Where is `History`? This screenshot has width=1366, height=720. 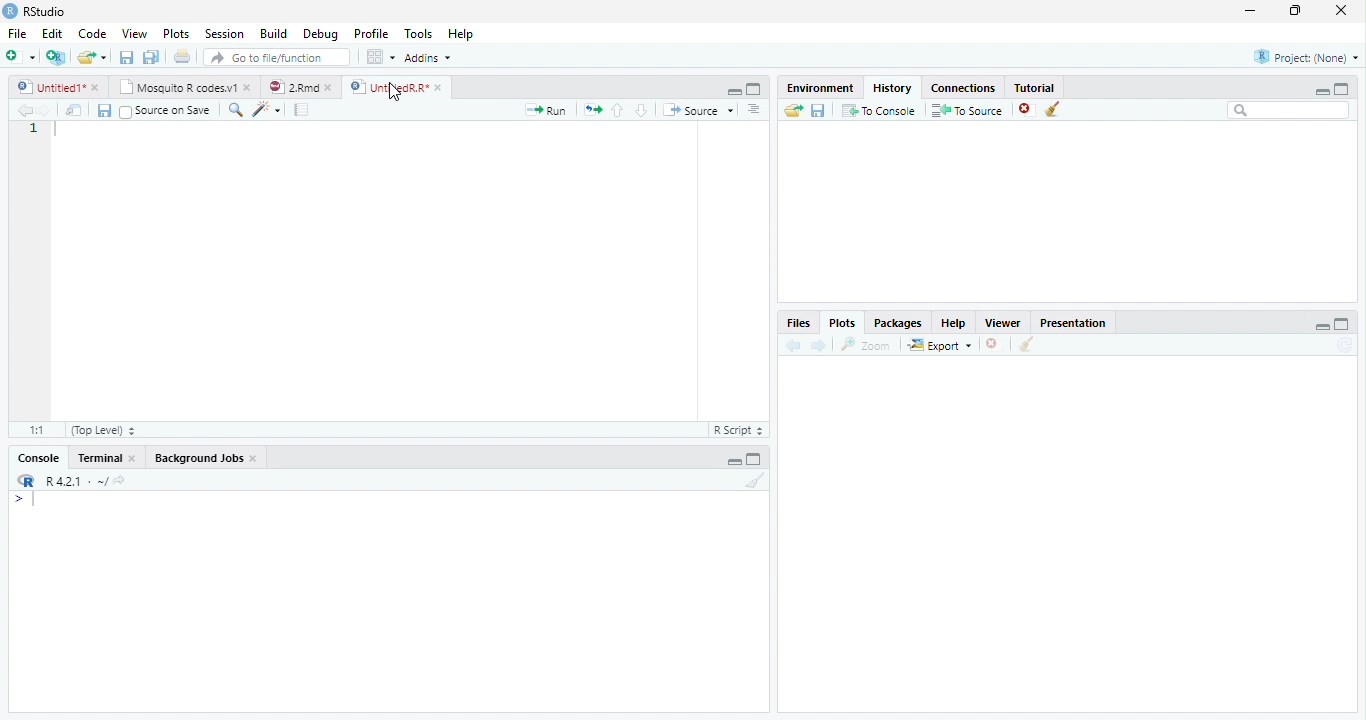
History is located at coordinates (893, 87).